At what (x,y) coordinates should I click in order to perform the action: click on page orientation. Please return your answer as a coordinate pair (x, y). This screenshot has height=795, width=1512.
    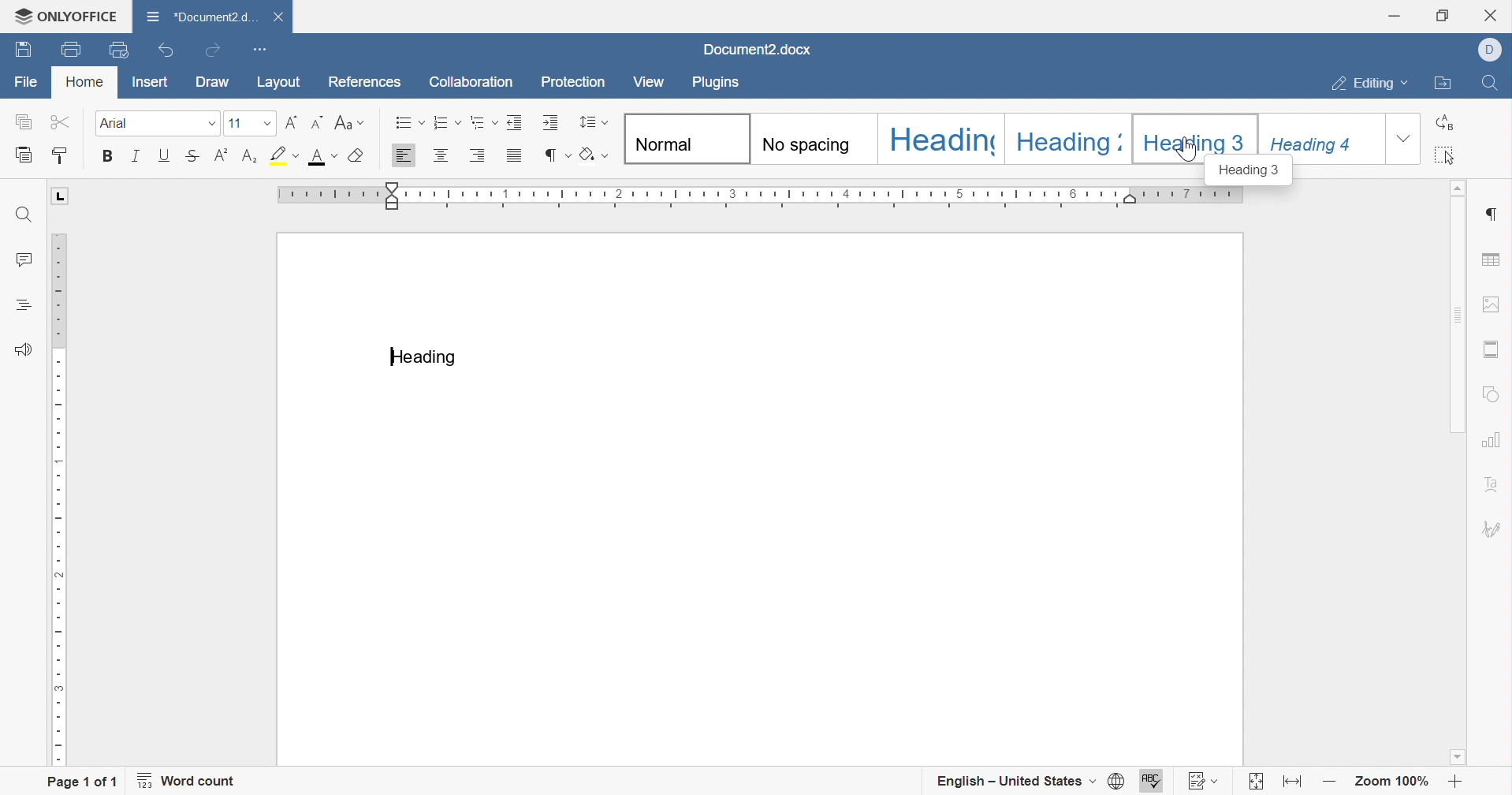
    Looking at the image, I should click on (60, 196).